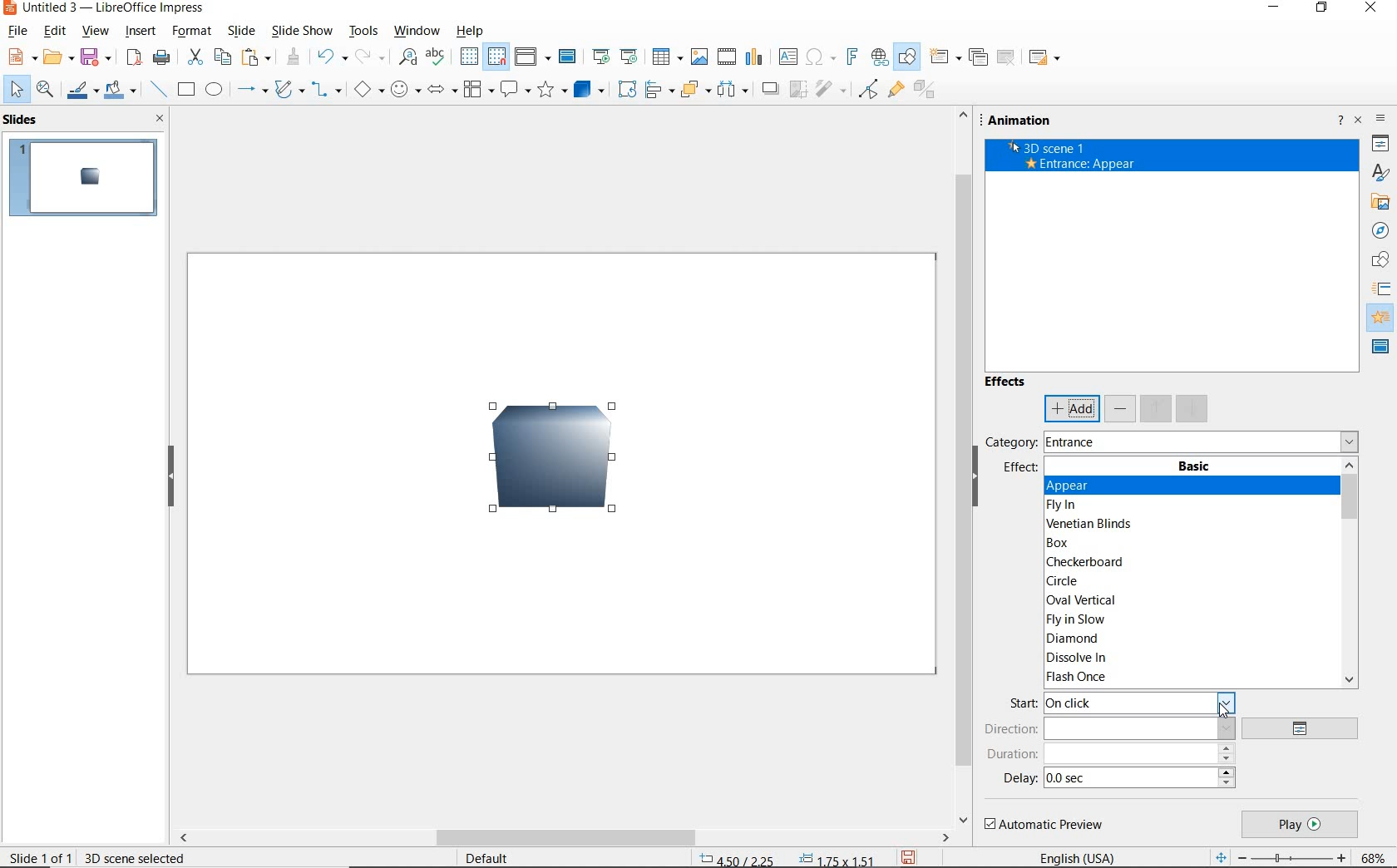 The height and width of the screenshot is (868, 1397). Describe the element at coordinates (252, 92) in the screenshot. I see `lines and arrows` at that location.